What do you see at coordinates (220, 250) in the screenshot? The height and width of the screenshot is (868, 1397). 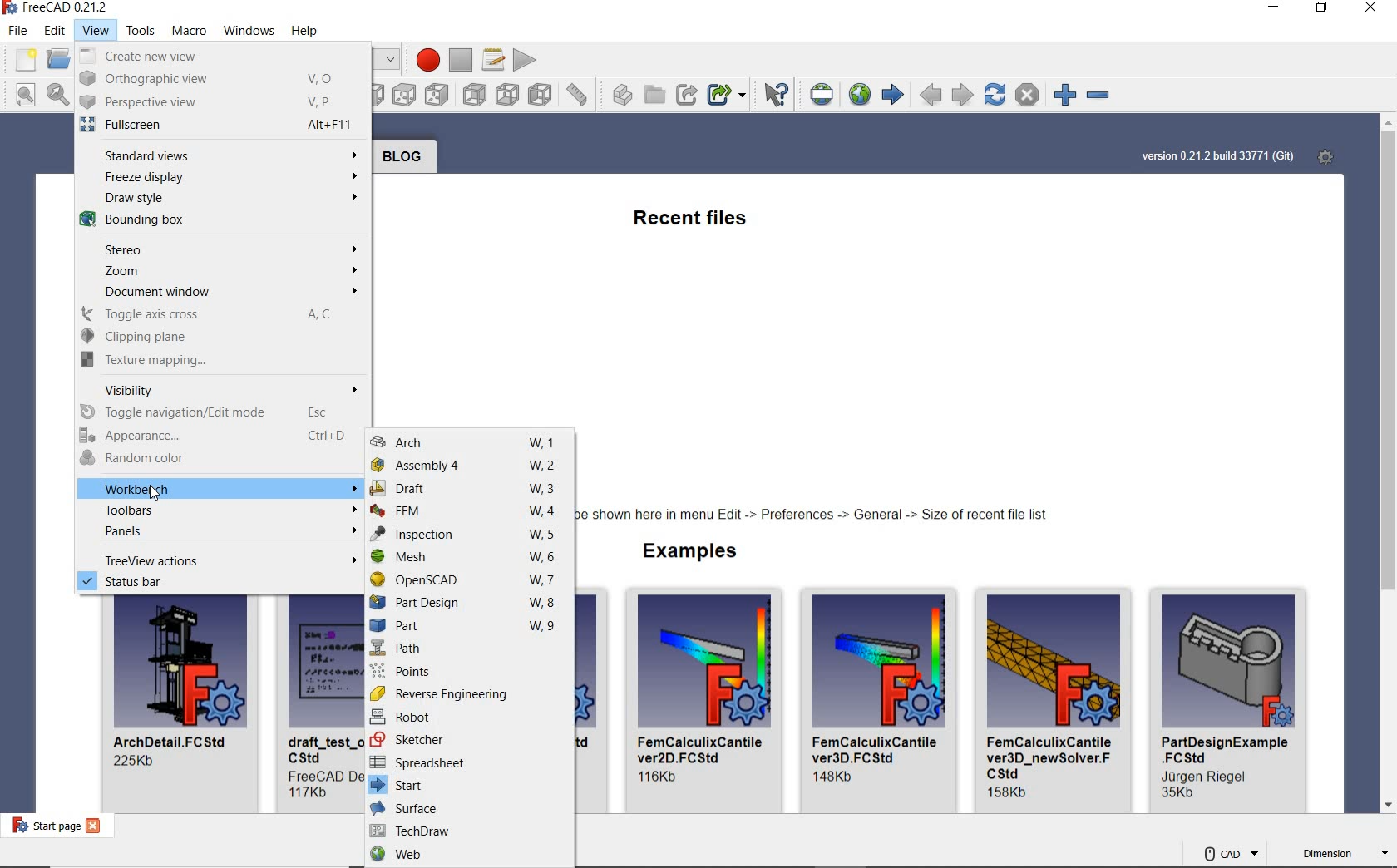 I see `stereo` at bounding box center [220, 250].